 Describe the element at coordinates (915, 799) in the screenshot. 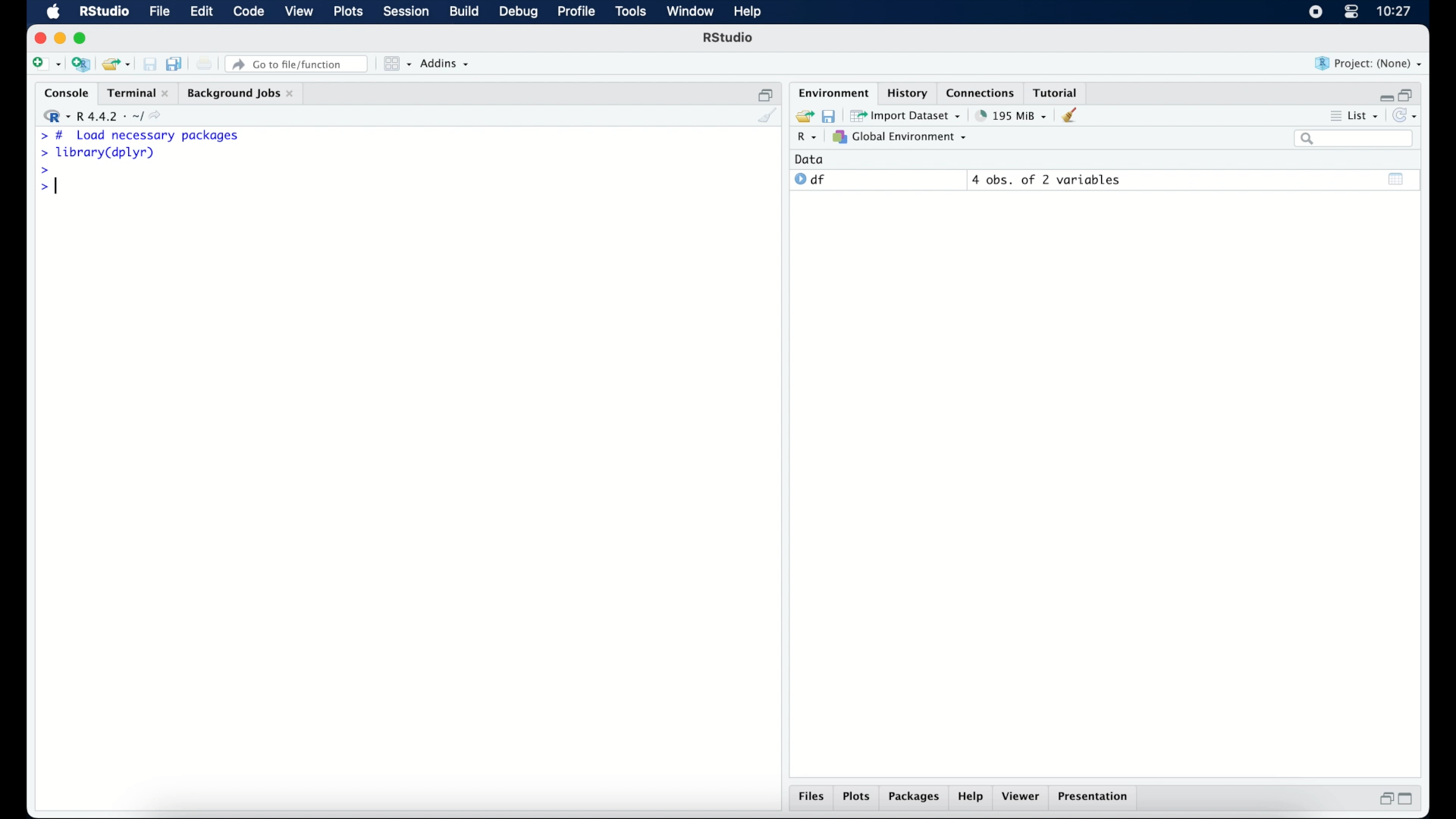

I see `packages` at that location.